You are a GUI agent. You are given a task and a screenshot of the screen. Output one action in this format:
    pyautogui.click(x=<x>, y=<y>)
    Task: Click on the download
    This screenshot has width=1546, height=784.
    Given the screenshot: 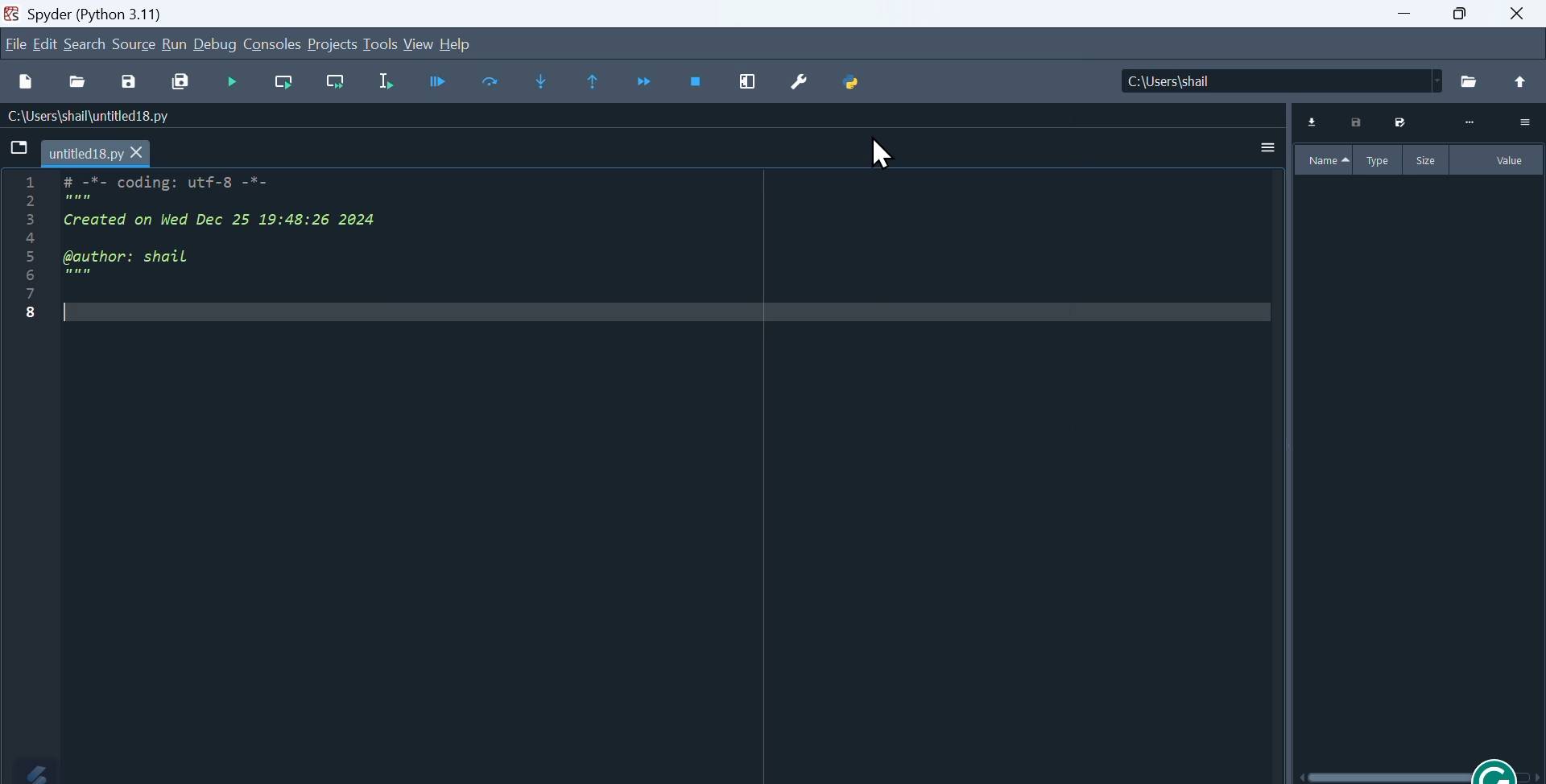 What is the action you would take?
    pyautogui.click(x=1311, y=122)
    